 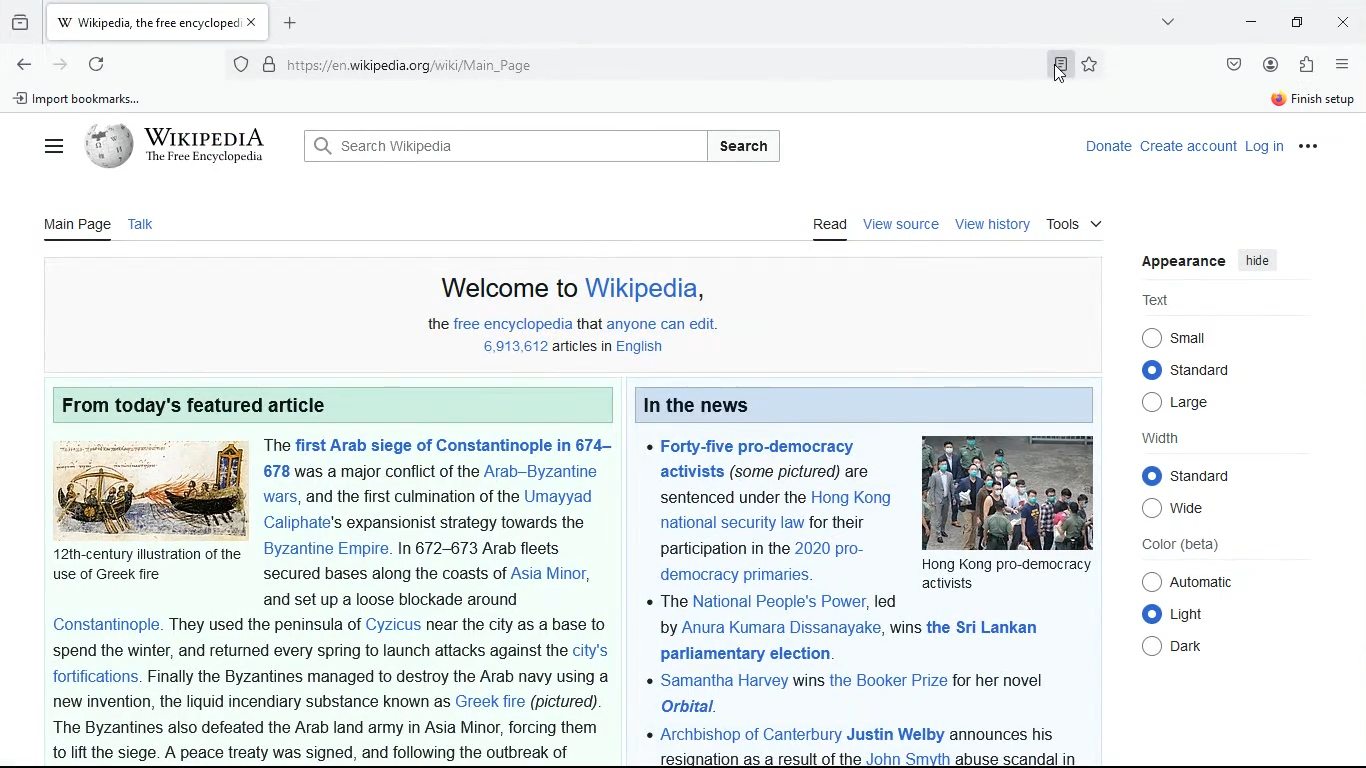 I want to click on wide, so click(x=1178, y=509).